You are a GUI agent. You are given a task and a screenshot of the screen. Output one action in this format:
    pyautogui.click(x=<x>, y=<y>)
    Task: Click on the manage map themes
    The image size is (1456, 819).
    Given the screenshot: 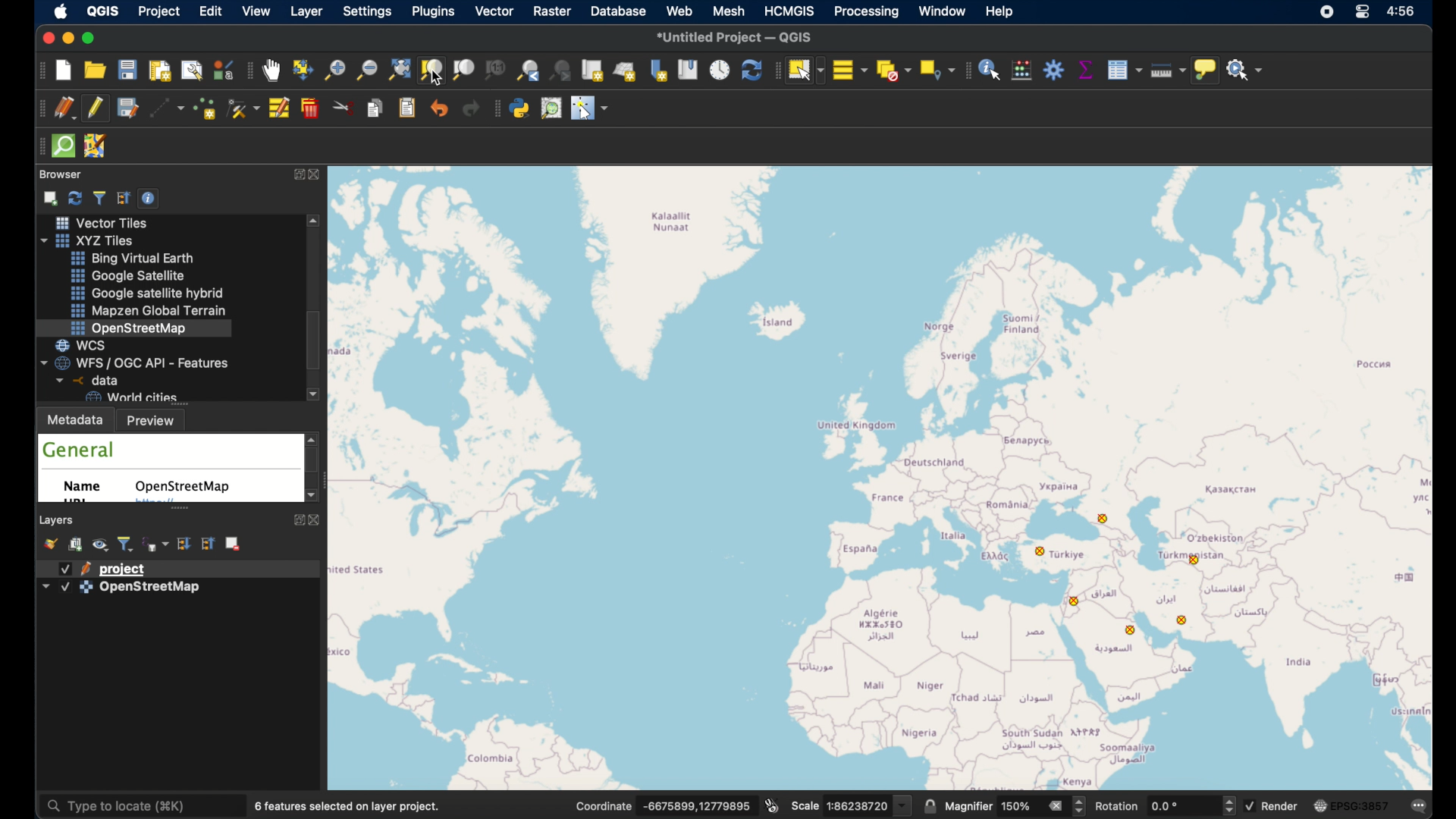 What is the action you would take?
    pyautogui.click(x=102, y=546)
    